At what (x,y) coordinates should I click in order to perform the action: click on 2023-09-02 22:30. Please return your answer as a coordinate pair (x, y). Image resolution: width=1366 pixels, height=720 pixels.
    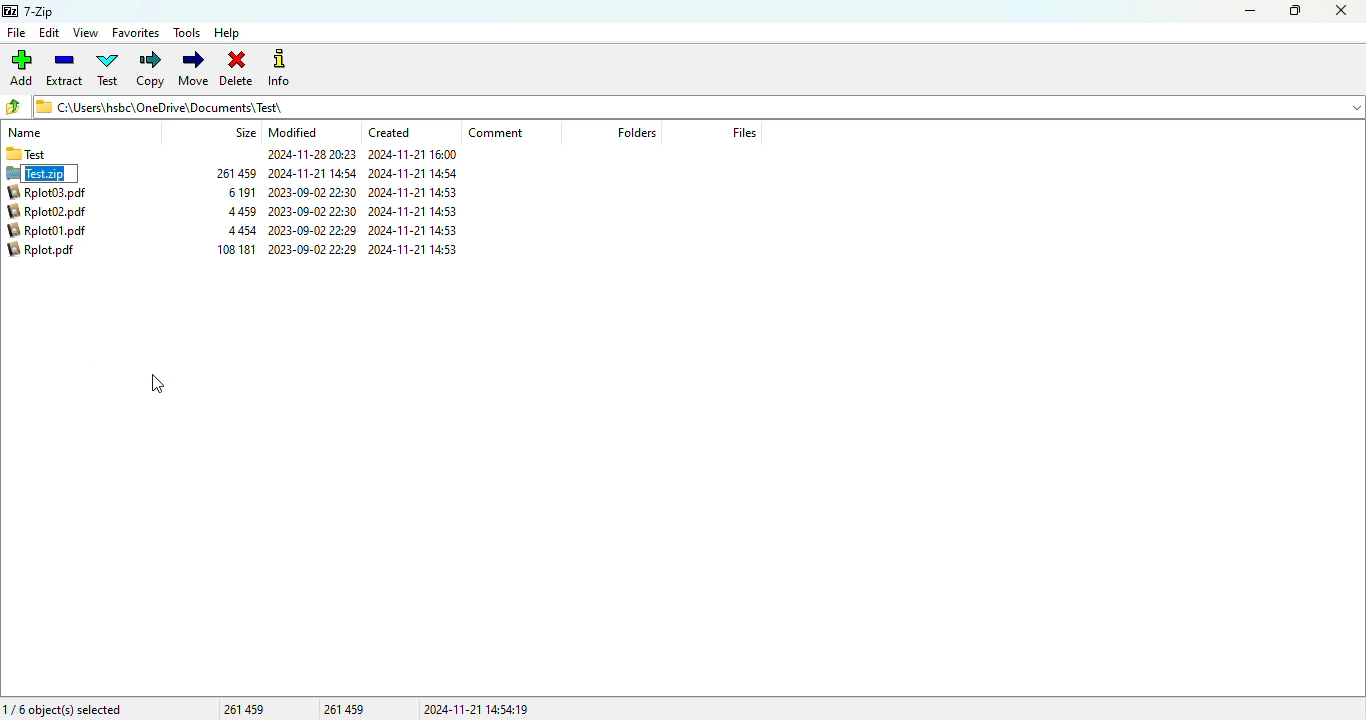
    Looking at the image, I should click on (313, 211).